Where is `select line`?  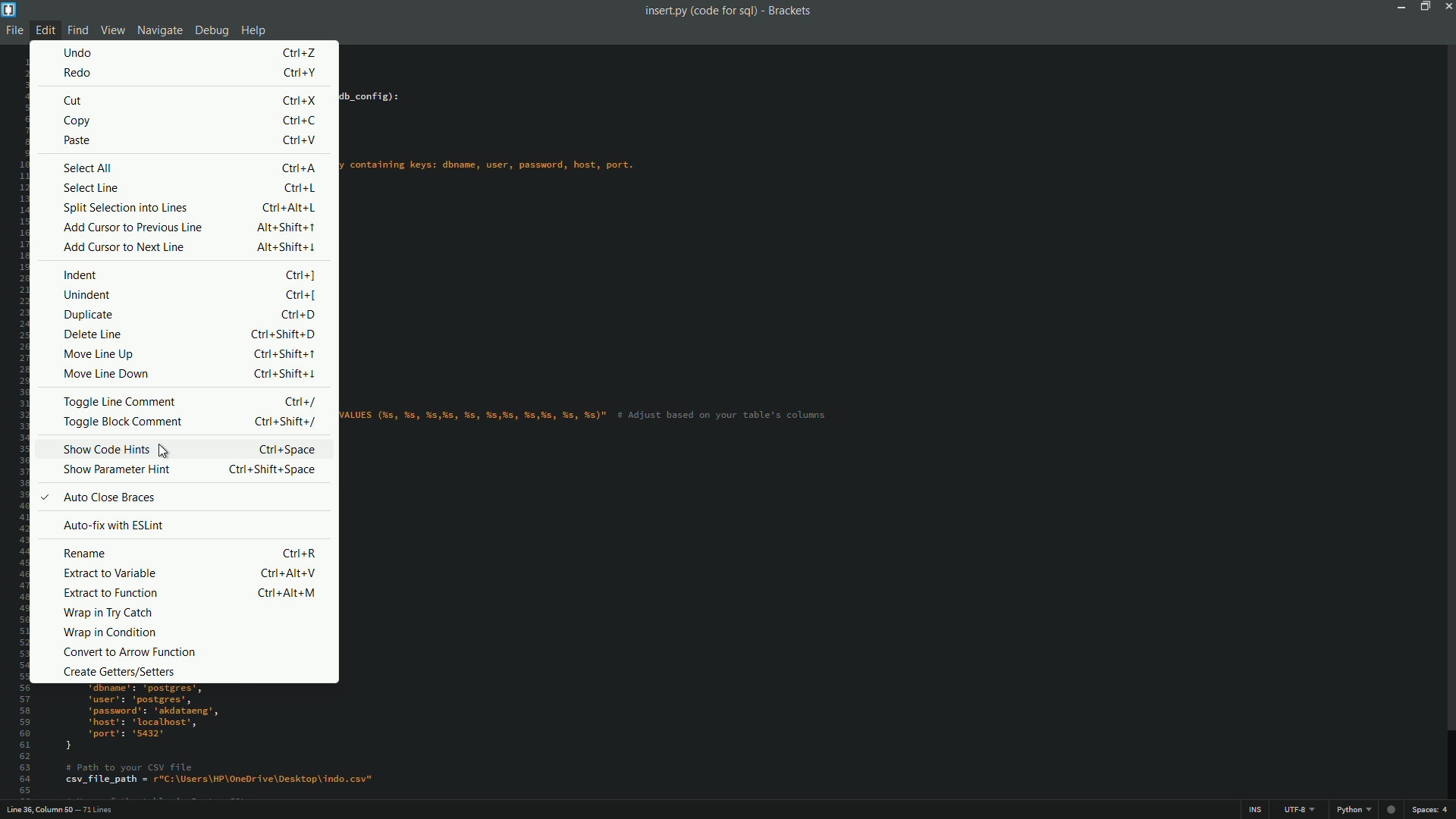
select line is located at coordinates (90, 188).